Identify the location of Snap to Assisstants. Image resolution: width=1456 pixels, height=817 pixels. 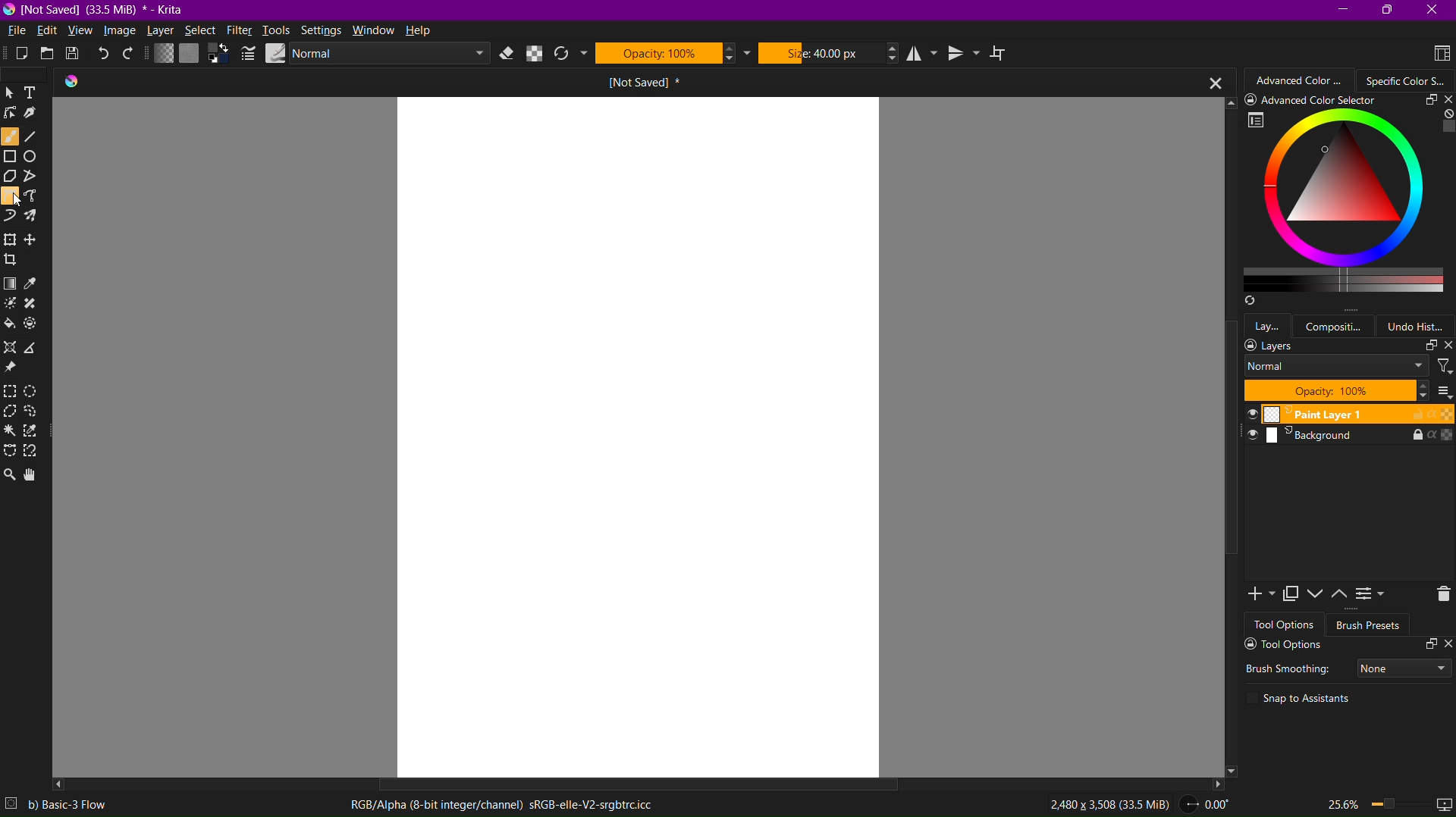
(1348, 698).